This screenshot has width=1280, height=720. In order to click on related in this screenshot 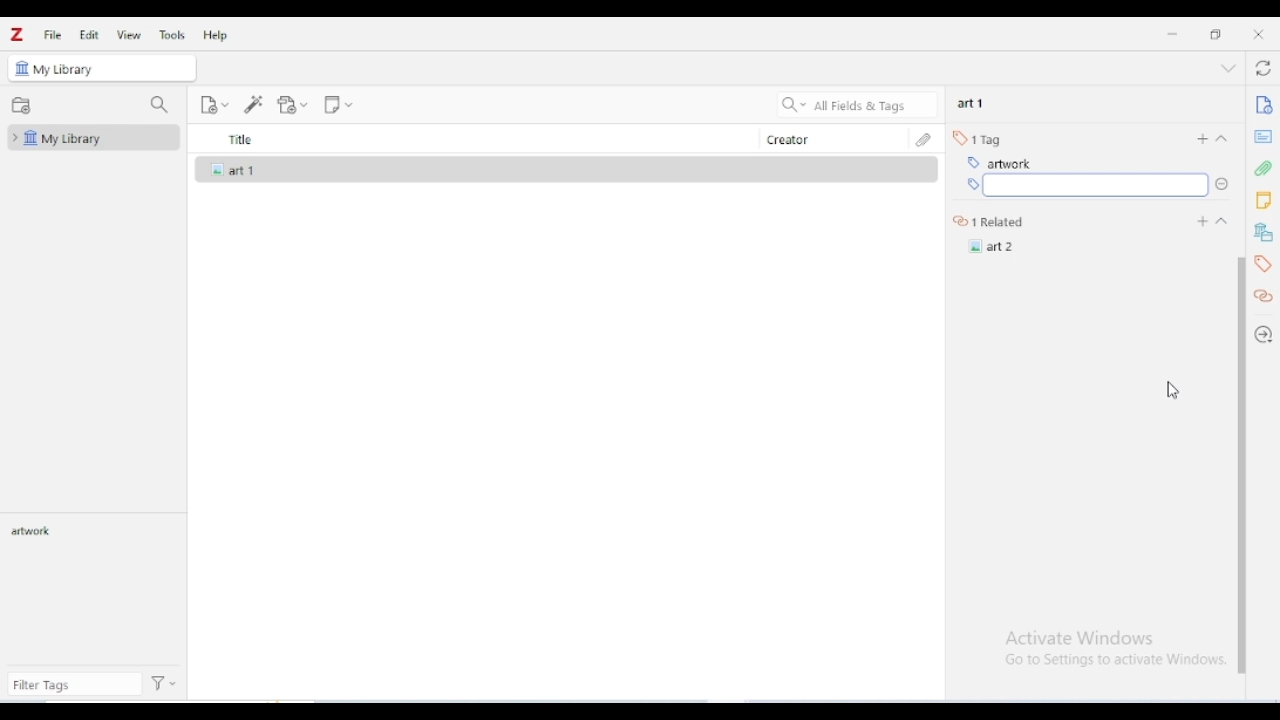, I will do `click(1263, 297)`.